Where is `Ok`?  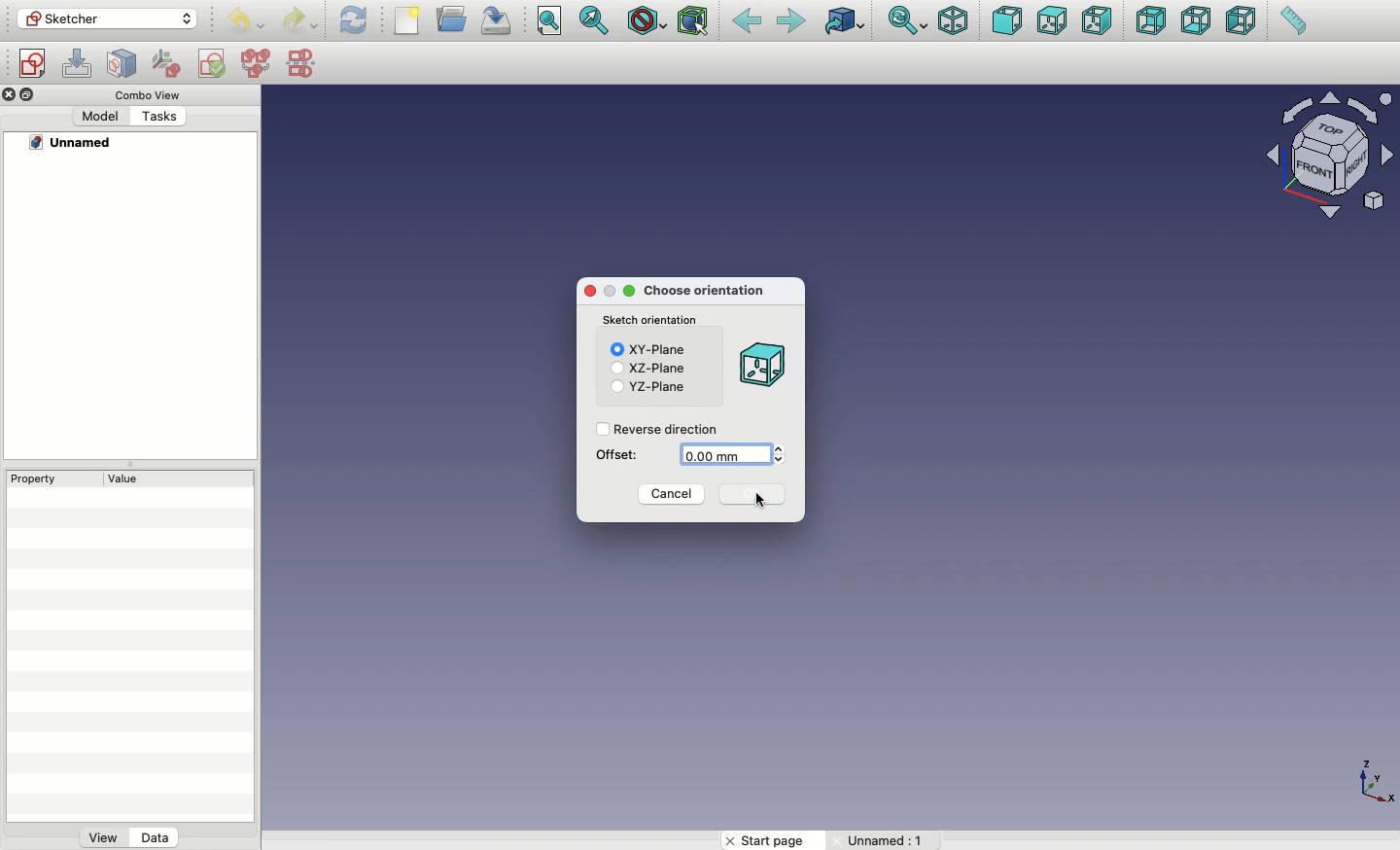 Ok is located at coordinates (756, 494).